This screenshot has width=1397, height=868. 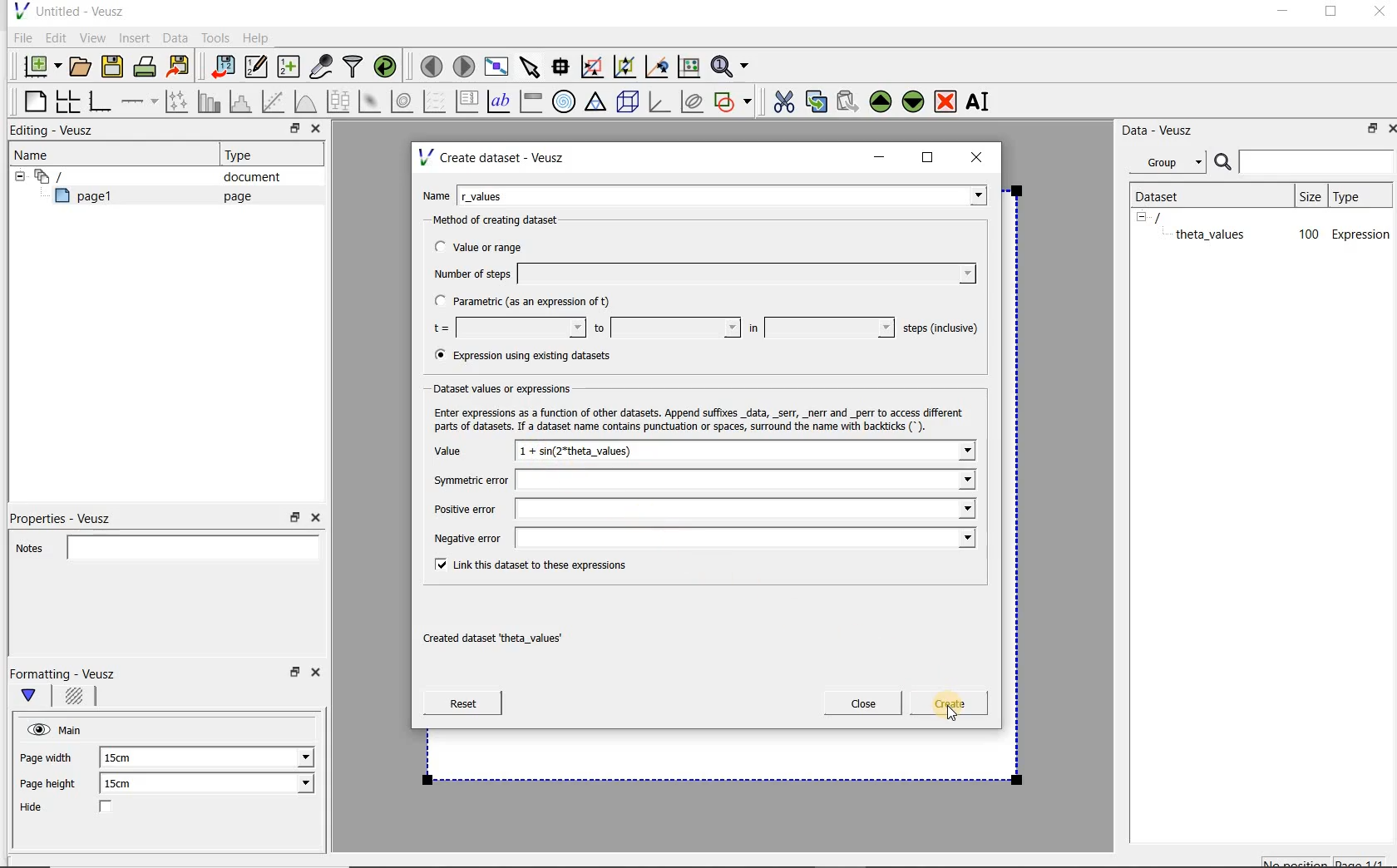 What do you see at coordinates (695, 417) in the screenshot?
I see `Enter expressions as a function of other datasets. Append suffixes _data, _serr, _nerr and _perr to access different
parts of datasets. If a dataset name contains punctuation or spaces, surround the name with backticks (*).` at bounding box center [695, 417].